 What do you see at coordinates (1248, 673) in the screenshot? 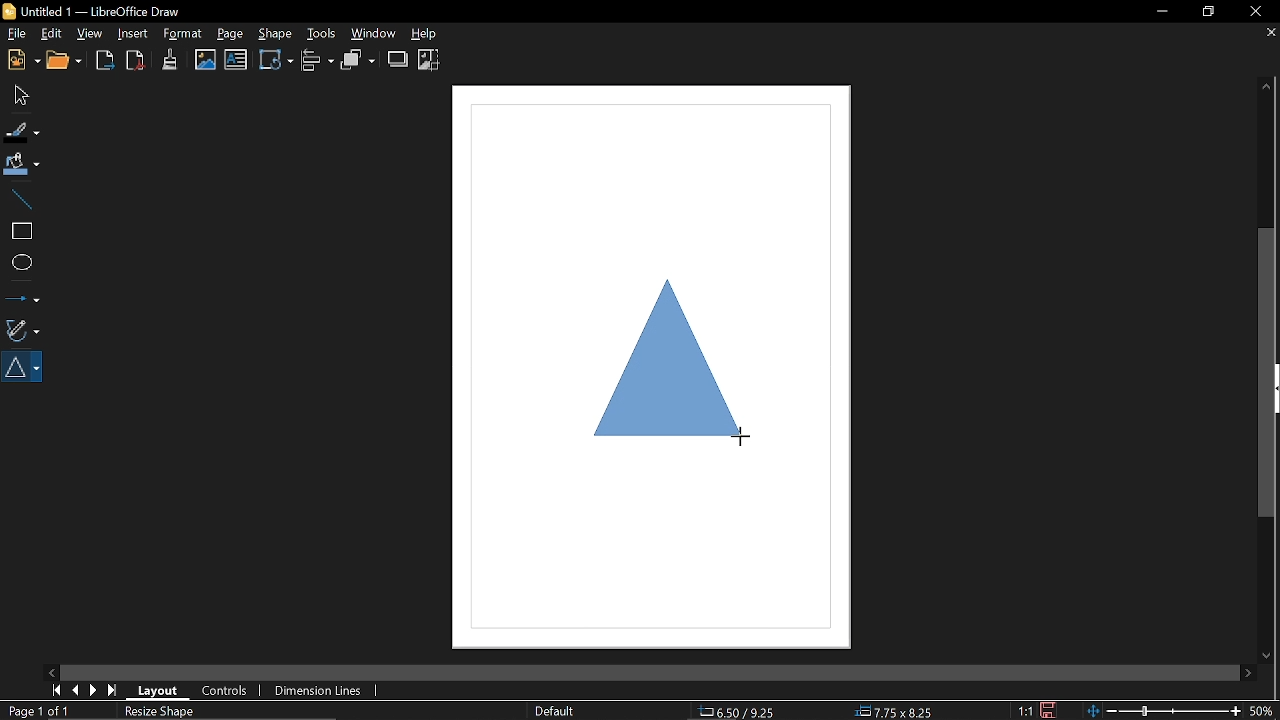
I see `Move right` at bounding box center [1248, 673].